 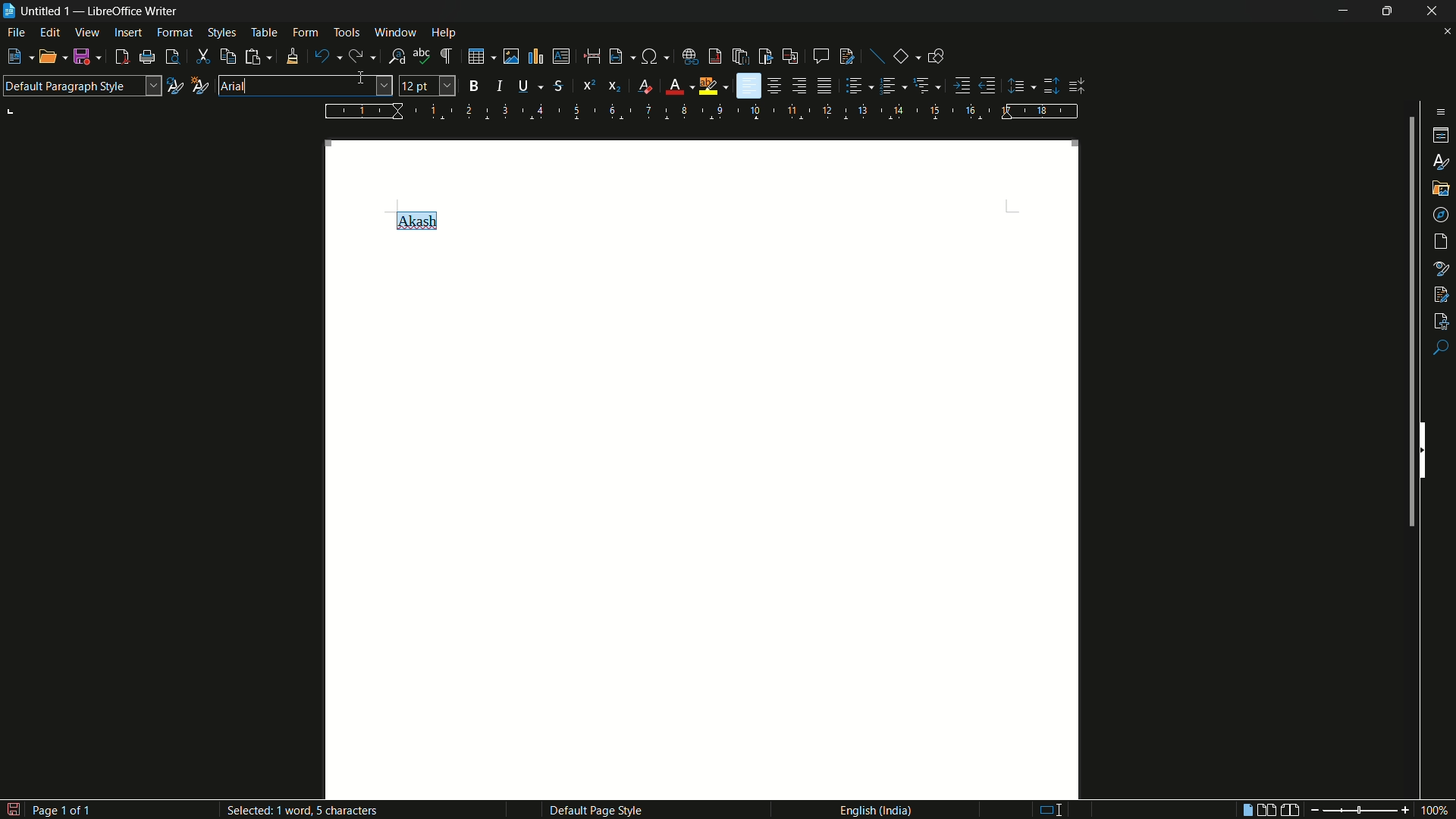 I want to click on update selected style, so click(x=174, y=86).